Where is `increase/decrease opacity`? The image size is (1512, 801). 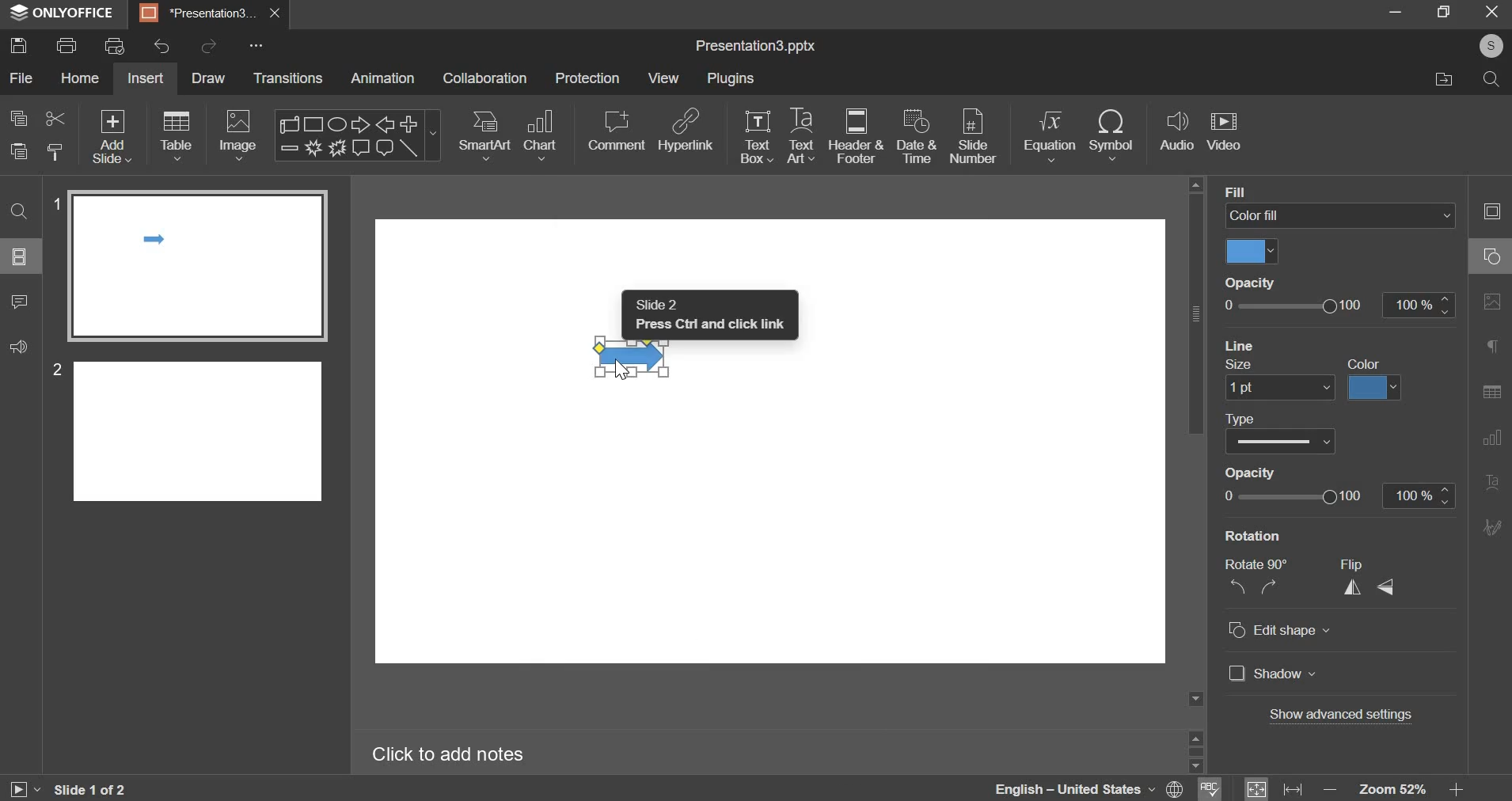 increase/decrease opacity is located at coordinates (1418, 305).